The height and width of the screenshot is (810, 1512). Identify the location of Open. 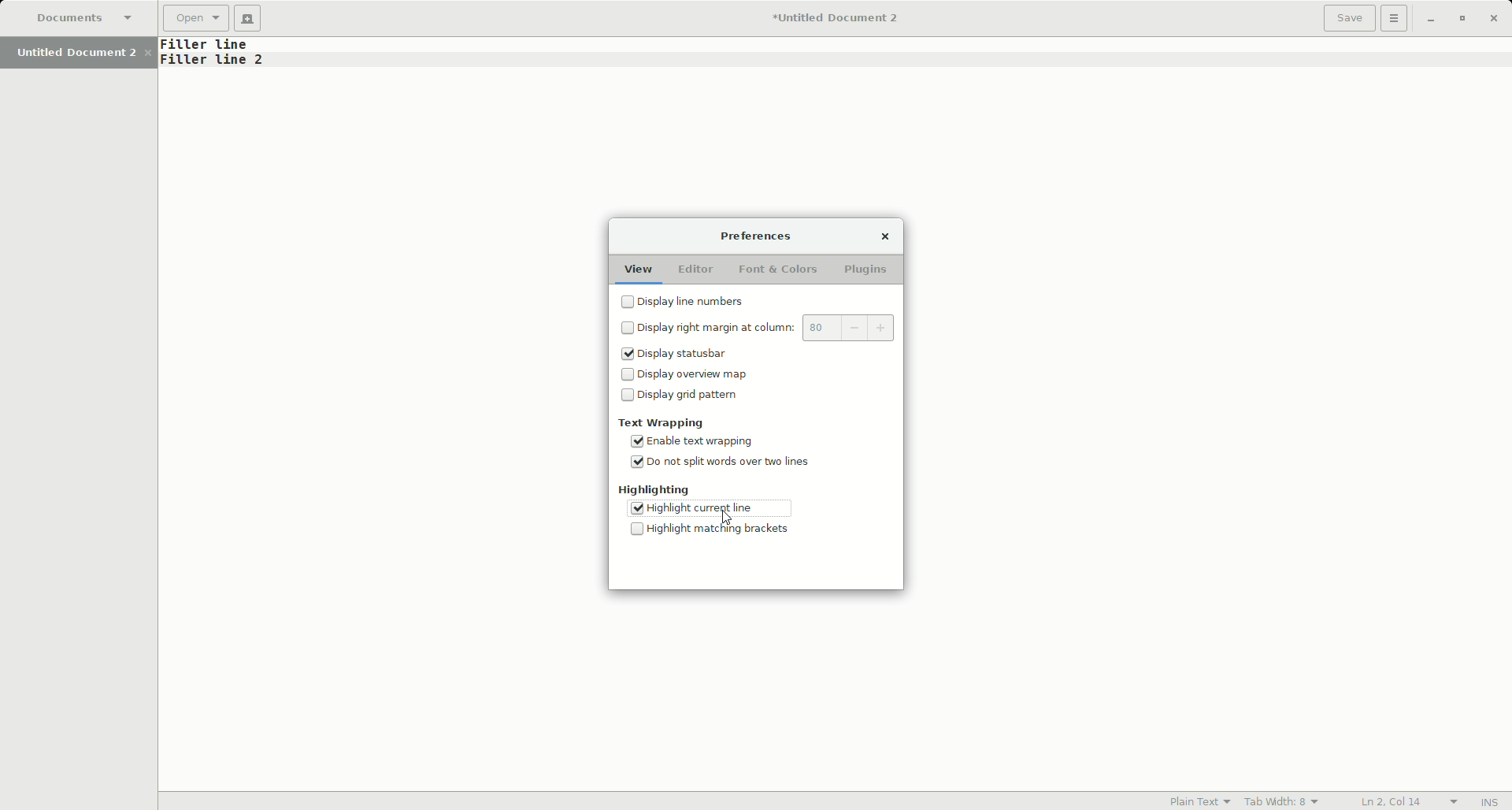
(197, 20).